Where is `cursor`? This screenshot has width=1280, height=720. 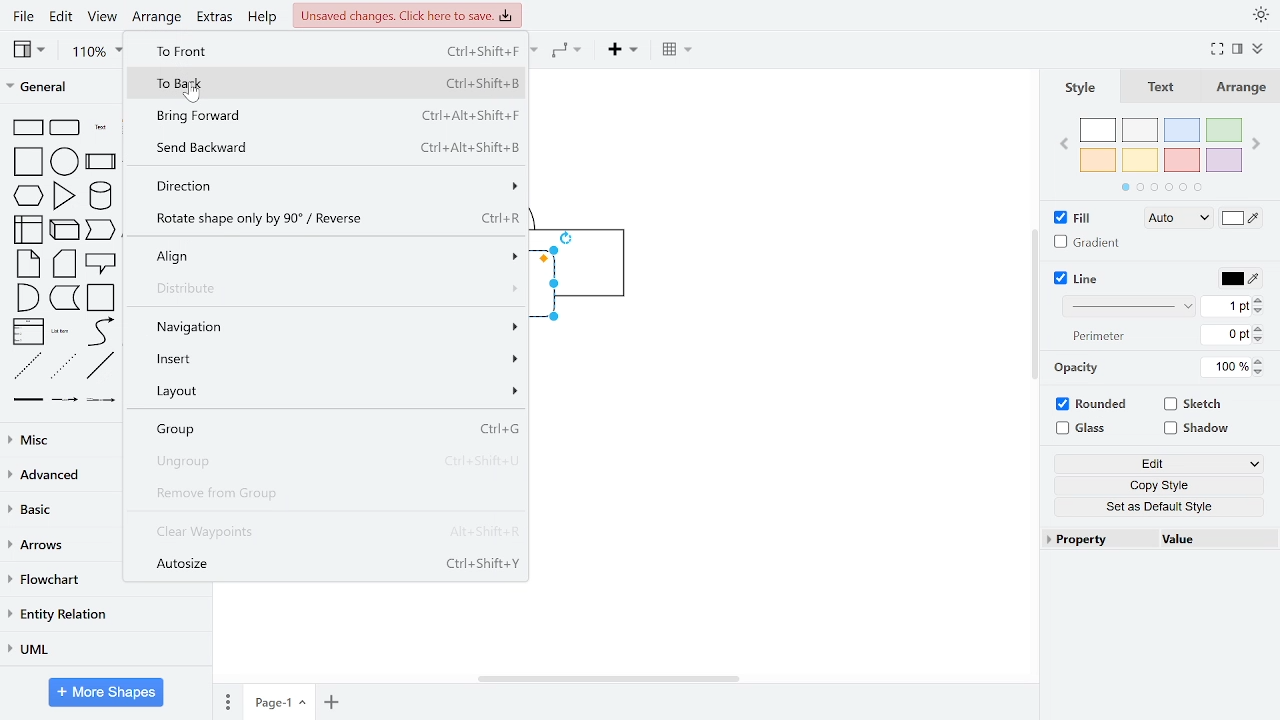 cursor is located at coordinates (194, 96).